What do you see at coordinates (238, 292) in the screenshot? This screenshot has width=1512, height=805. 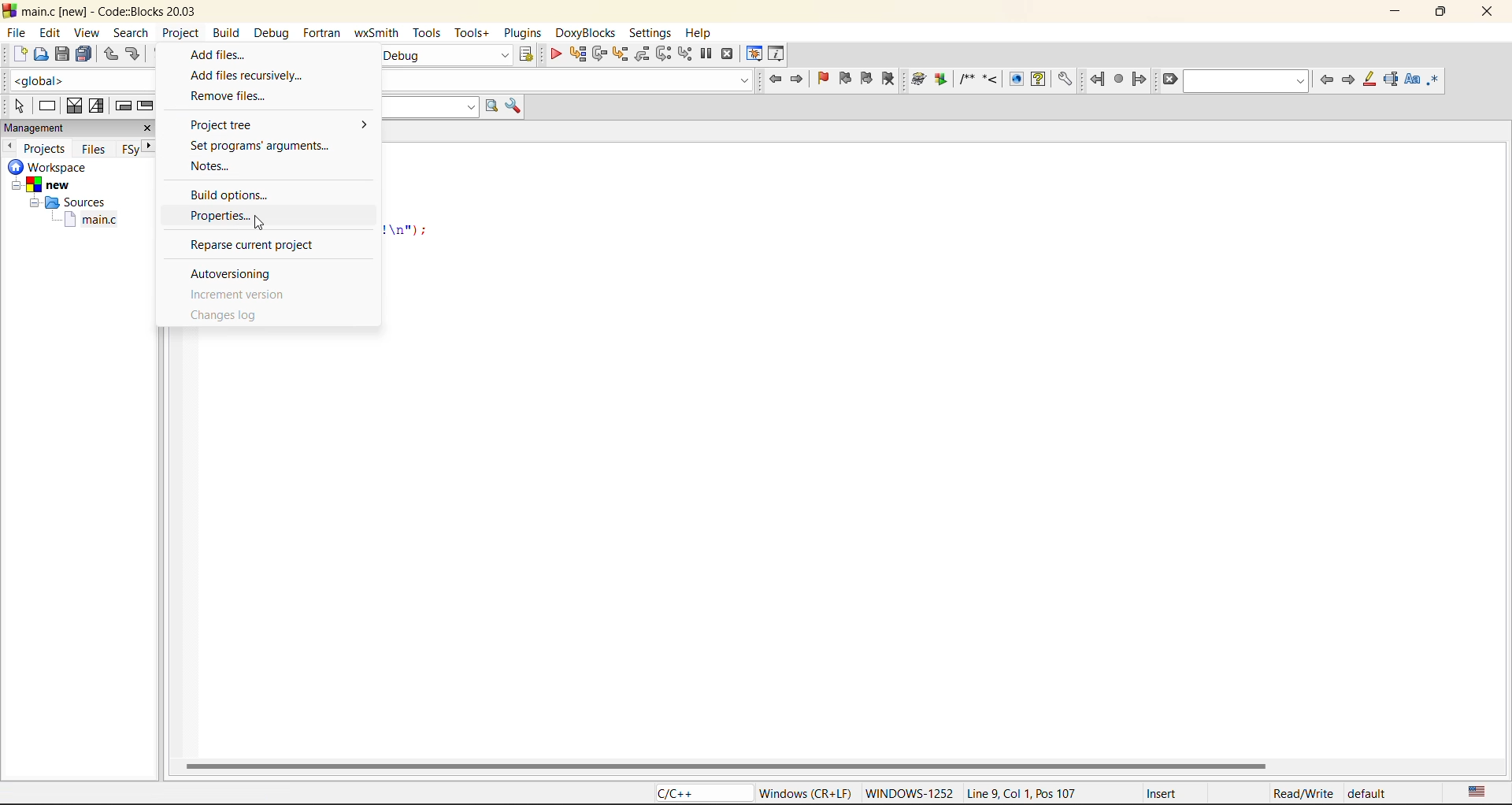 I see `increment version` at bounding box center [238, 292].